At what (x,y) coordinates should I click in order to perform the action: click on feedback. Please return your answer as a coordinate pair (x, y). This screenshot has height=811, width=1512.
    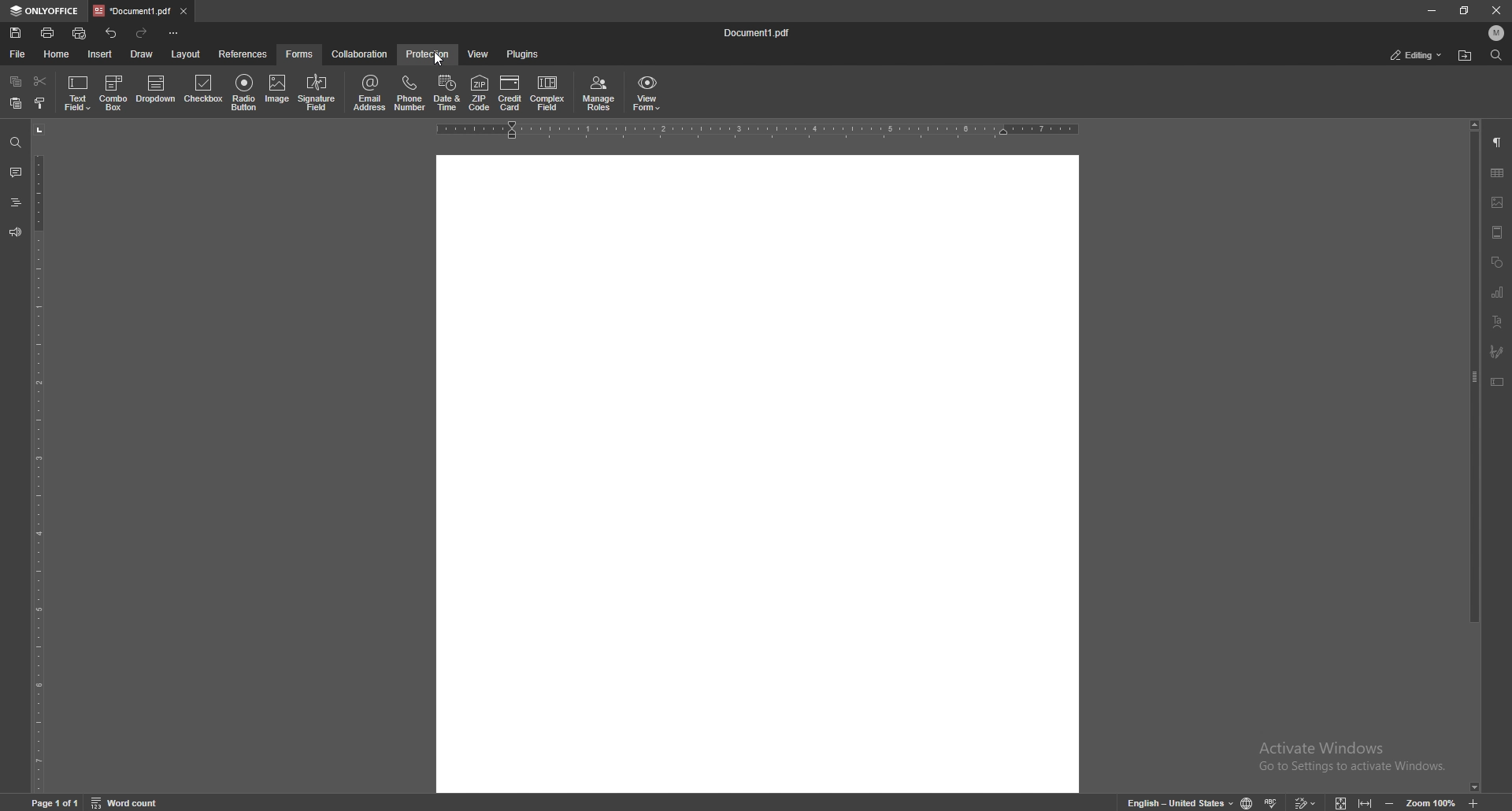
    Looking at the image, I should click on (14, 232).